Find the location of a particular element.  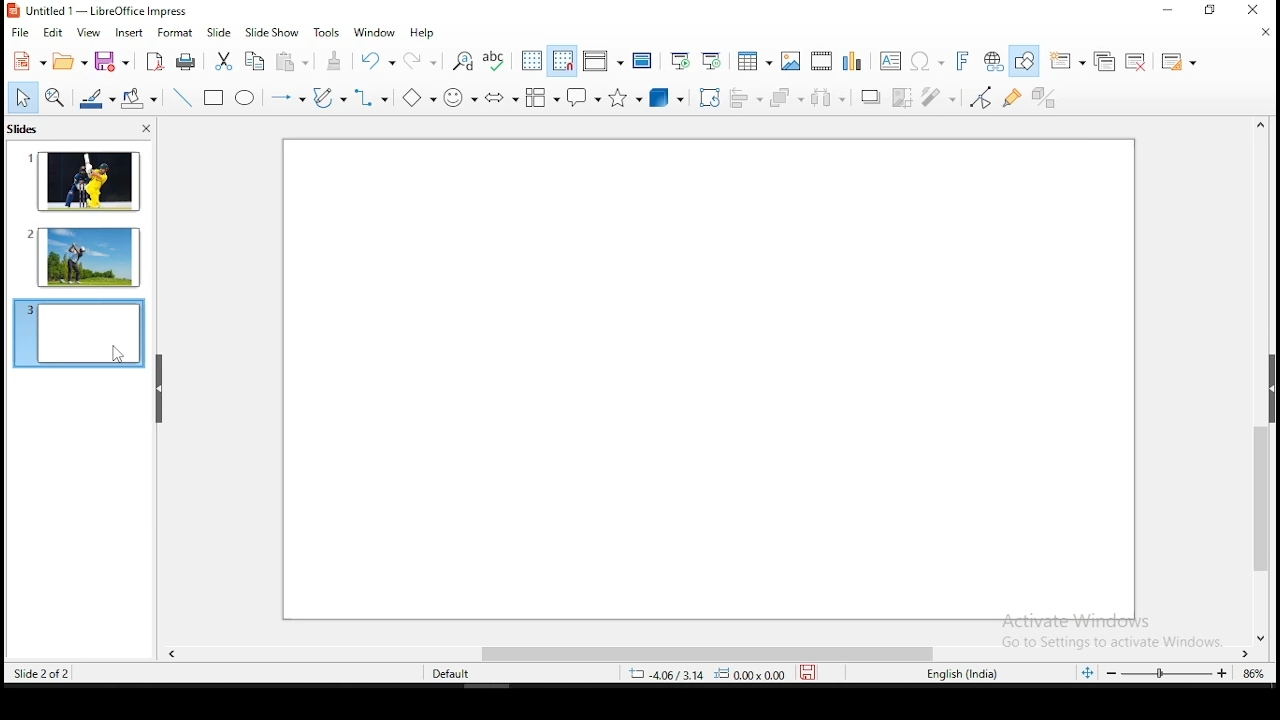

0.00x0.00 is located at coordinates (752, 674).